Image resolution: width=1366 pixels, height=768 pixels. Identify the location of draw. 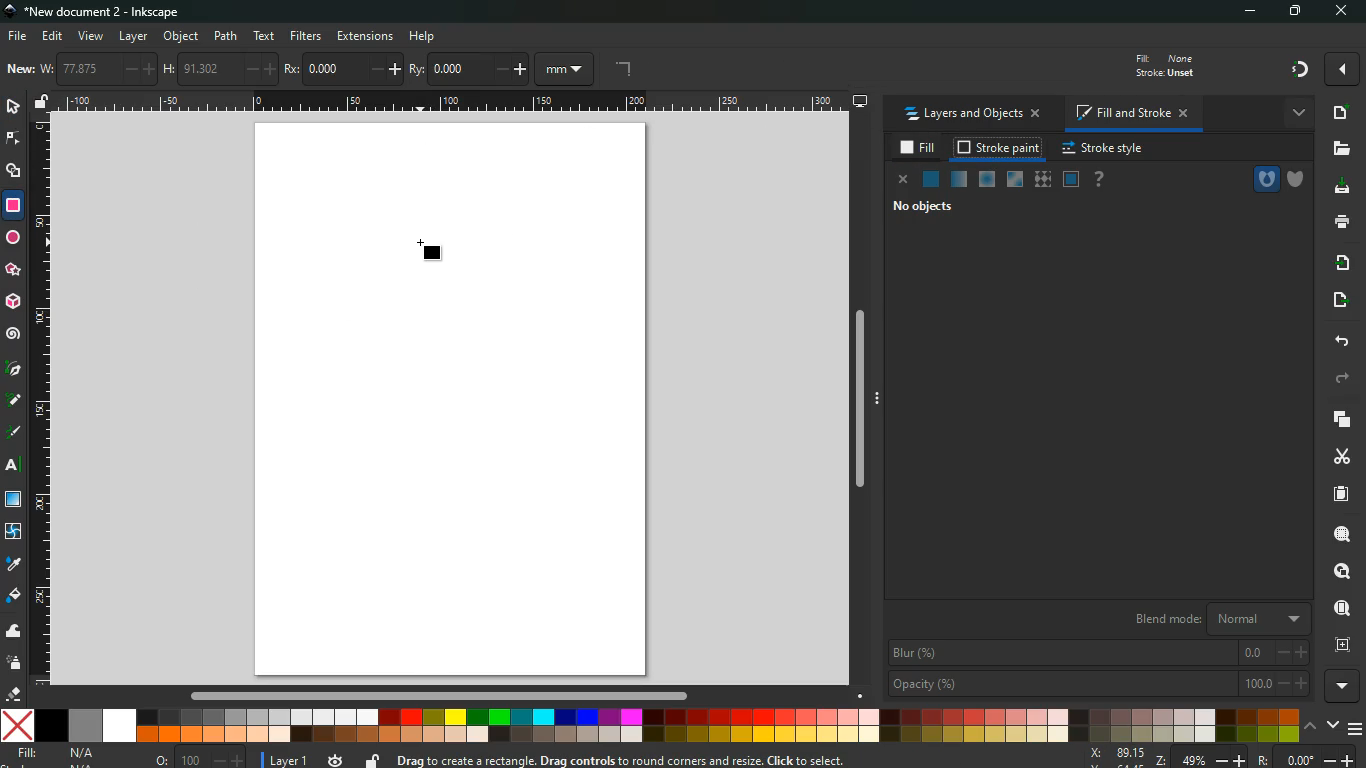
(14, 433).